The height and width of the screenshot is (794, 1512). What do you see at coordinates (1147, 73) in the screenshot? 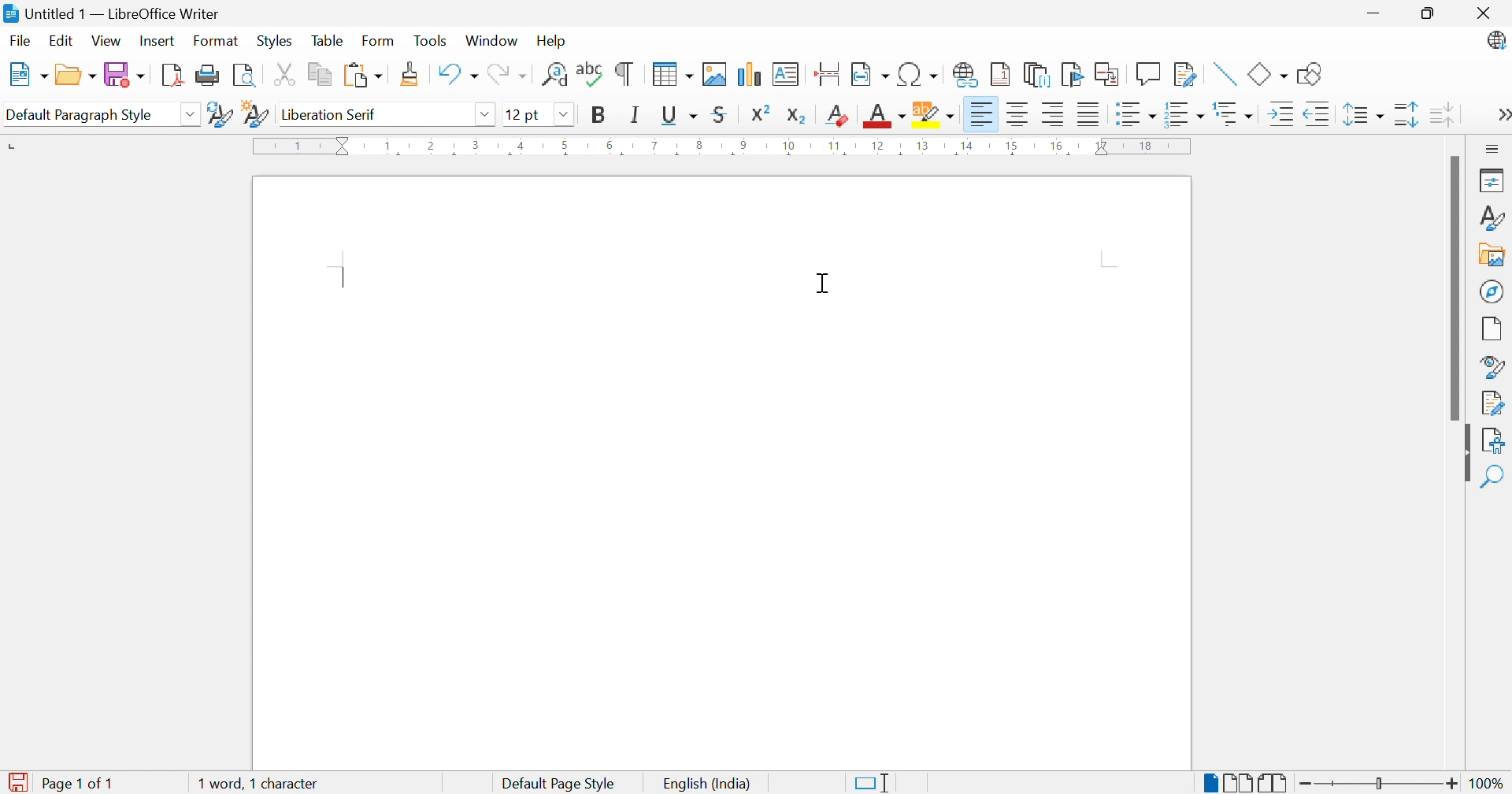
I see `Insert Comment` at bounding box center [1147, 73].